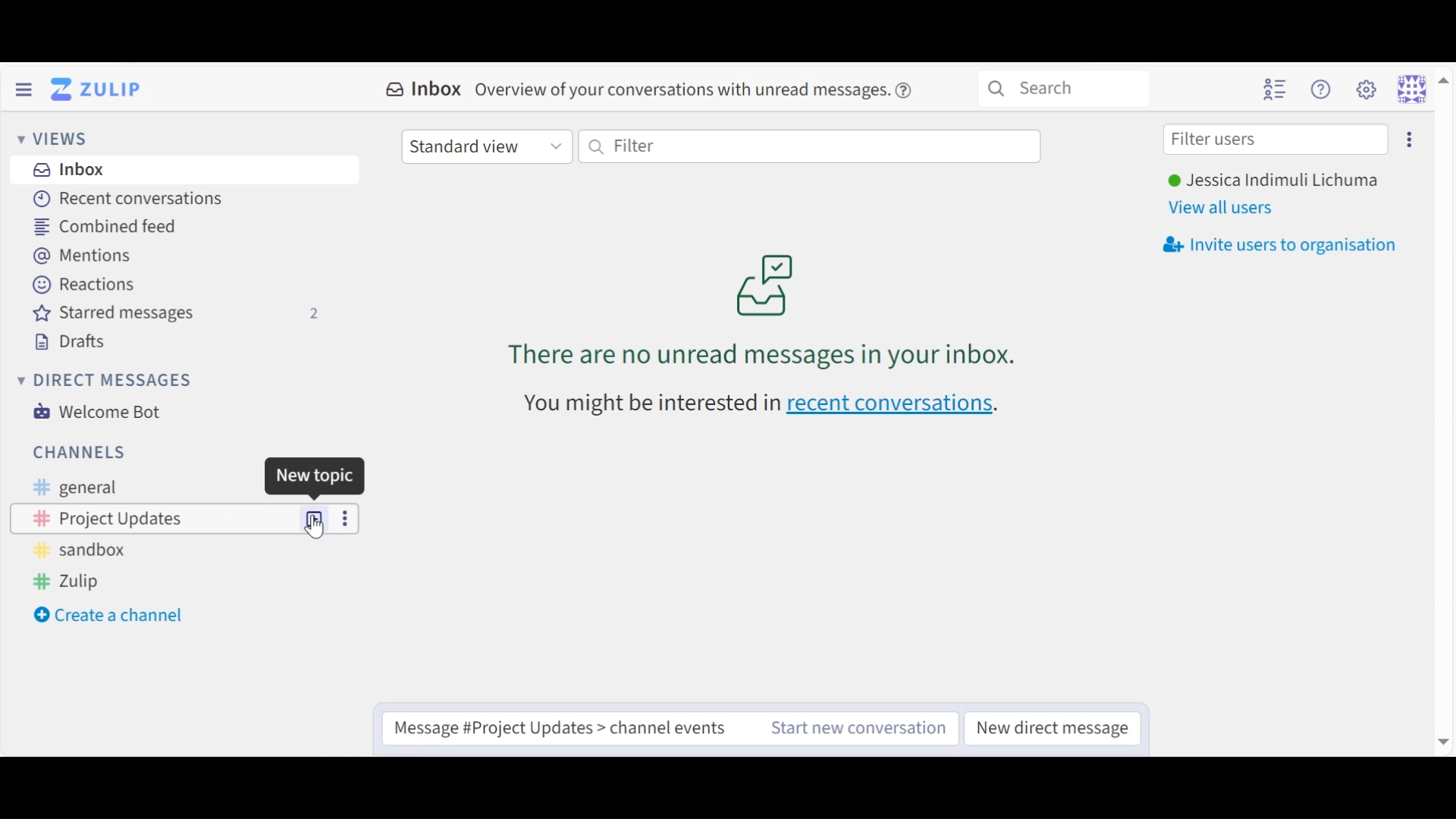 This screenshot has width=1456, height=819. Describe the element at coordinates (315, 517) in the screenshot. I see `New Topic` at that location.